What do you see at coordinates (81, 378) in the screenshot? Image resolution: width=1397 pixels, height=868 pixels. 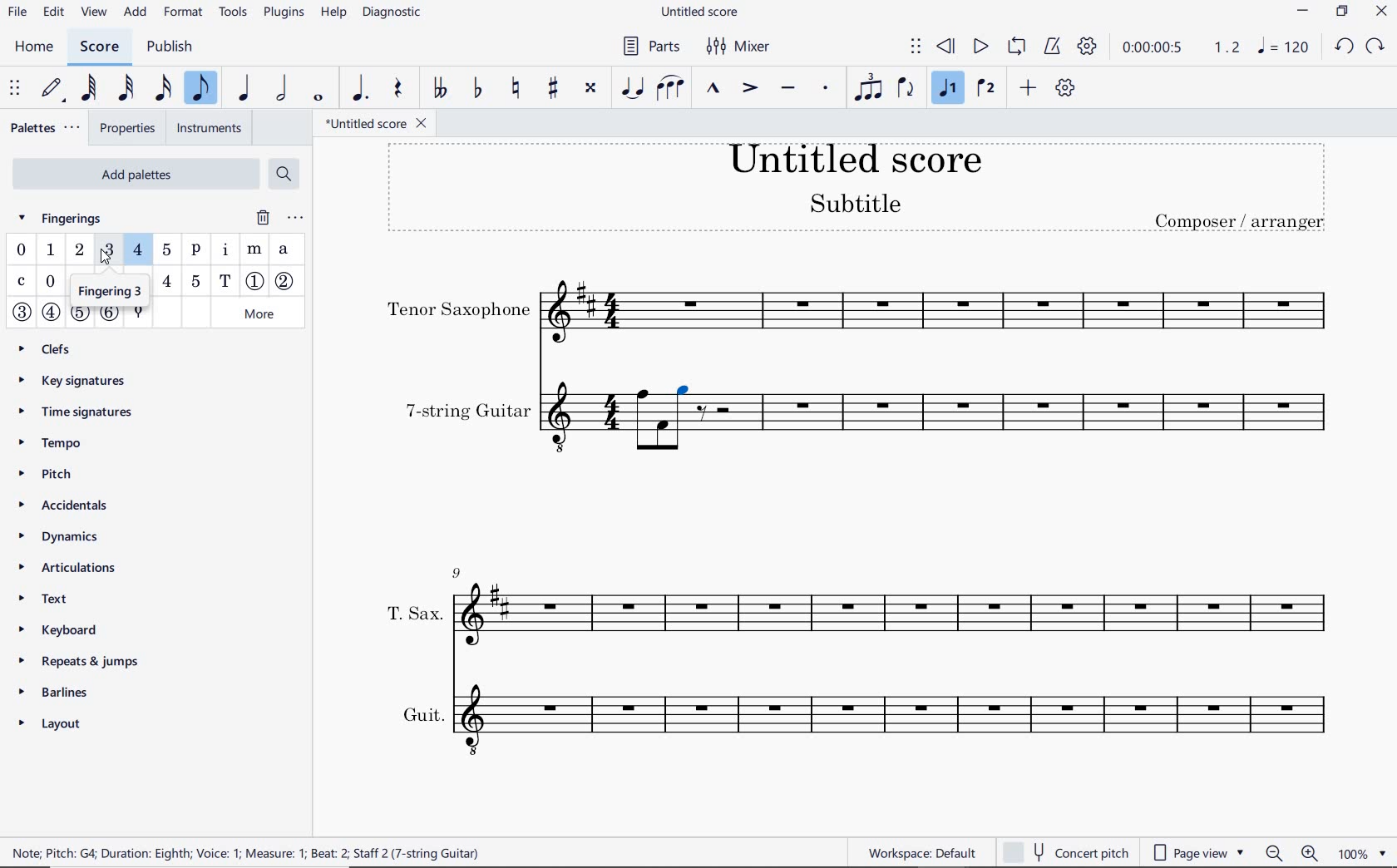 I see `KEY SIGNATURES` at bounding box center [81, 378].